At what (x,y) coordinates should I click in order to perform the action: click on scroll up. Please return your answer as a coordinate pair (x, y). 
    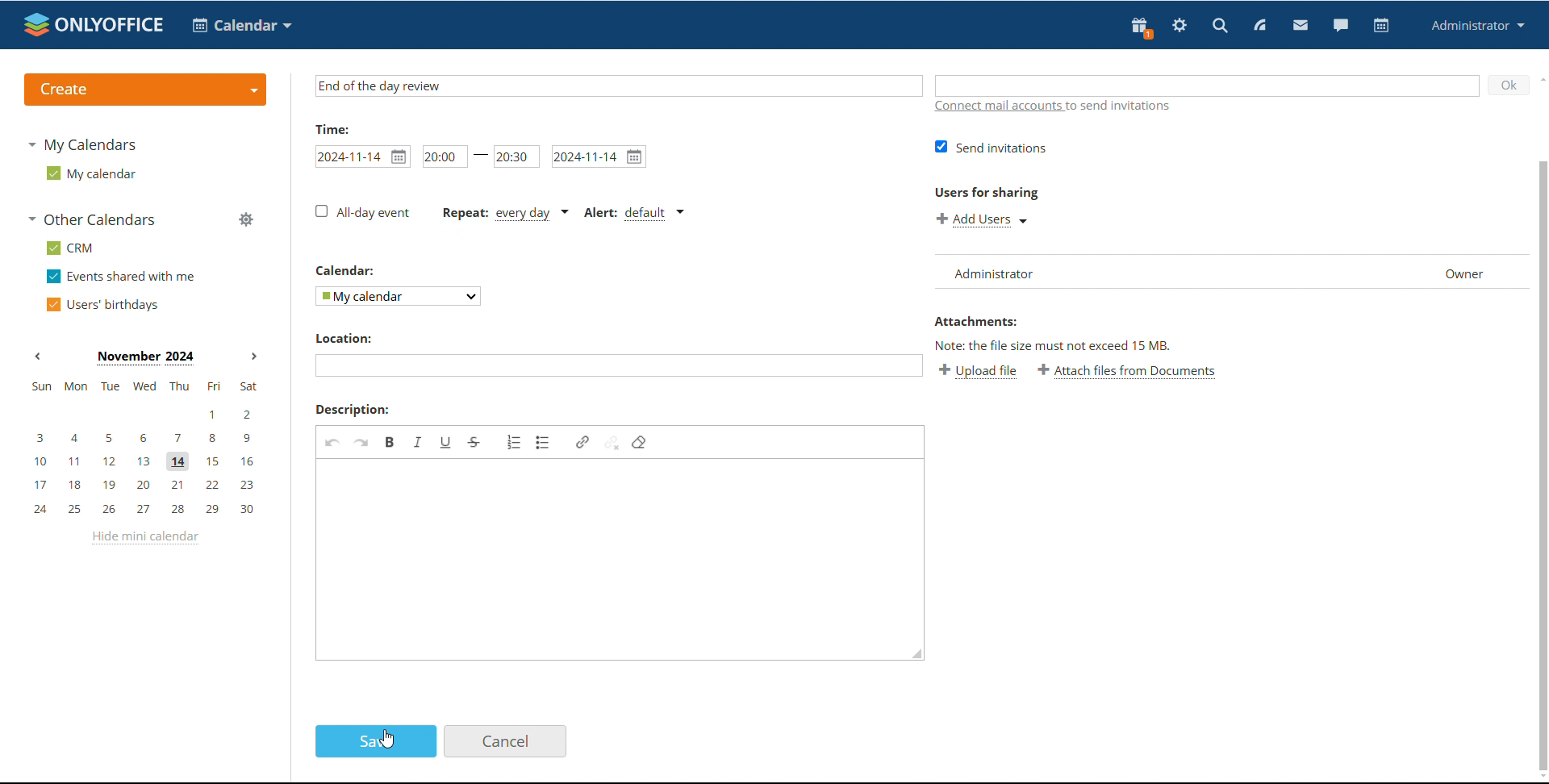
    Looking at the image, I should click on (1539, 77).